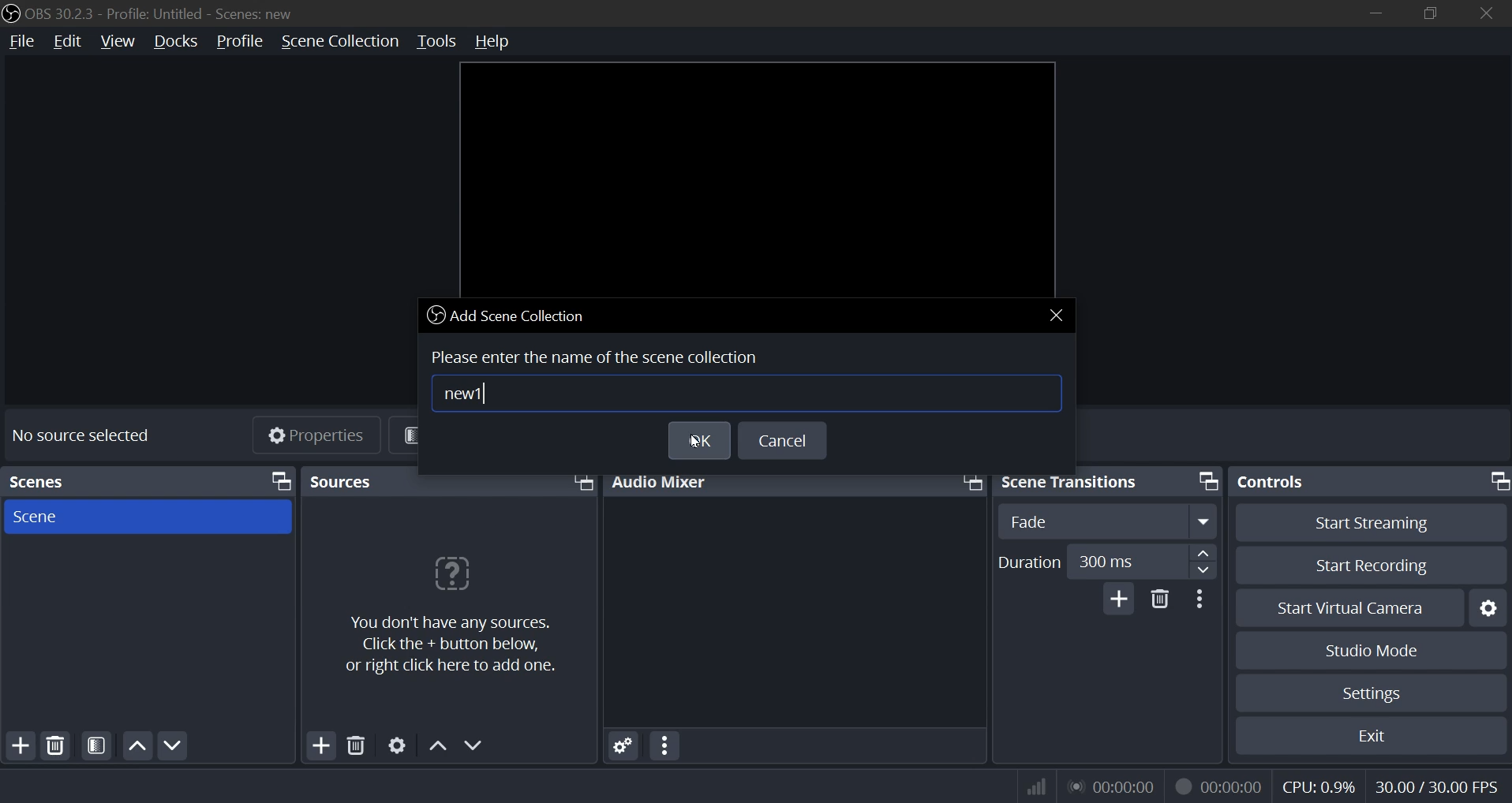  Describe the element at coordinates (52, 478) in the screenshot. I see `Scenes` at that location.